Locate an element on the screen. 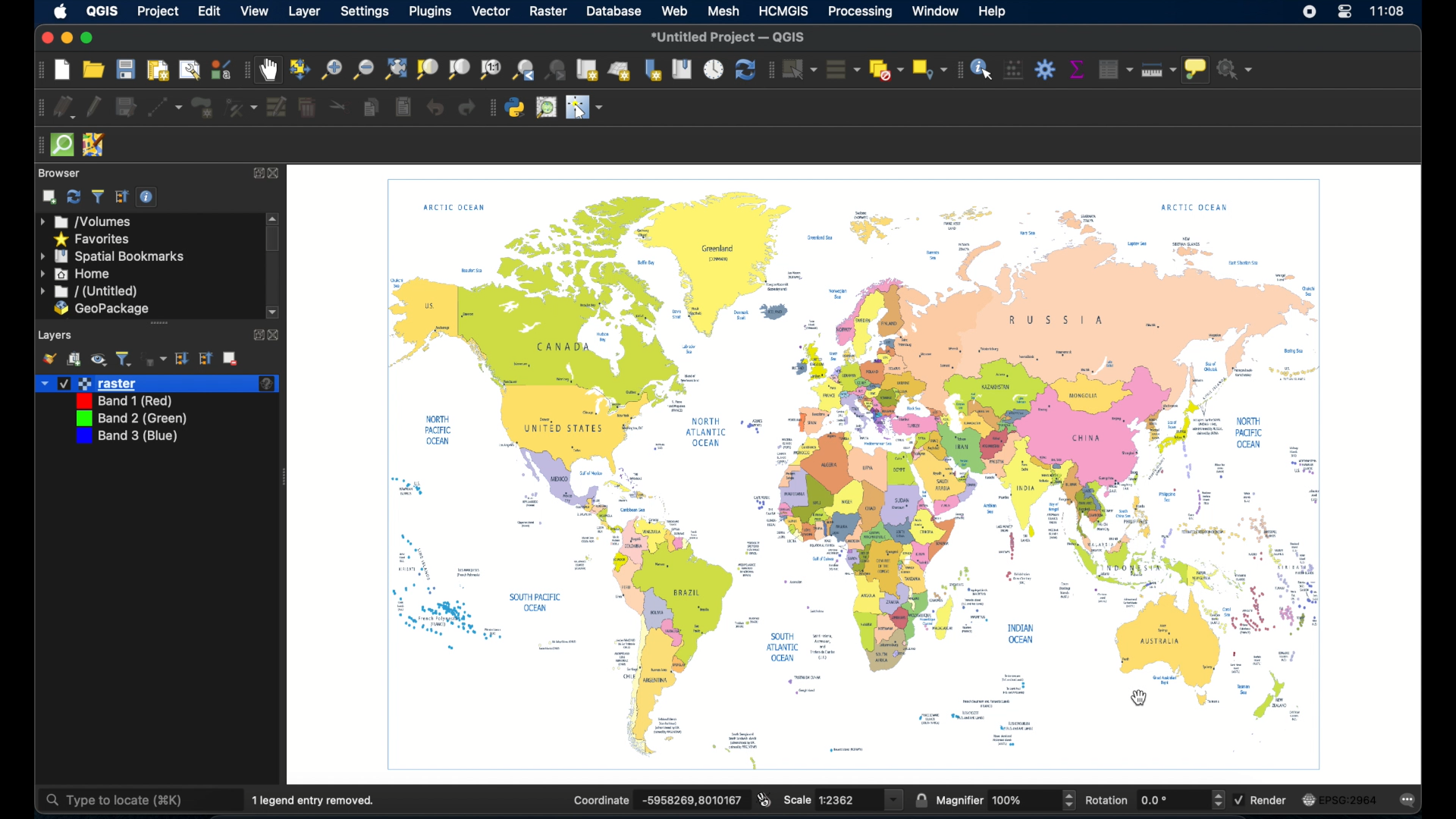 This screenshot has width=1456, height=819. Band 1 is located at coordinates (127, 400).